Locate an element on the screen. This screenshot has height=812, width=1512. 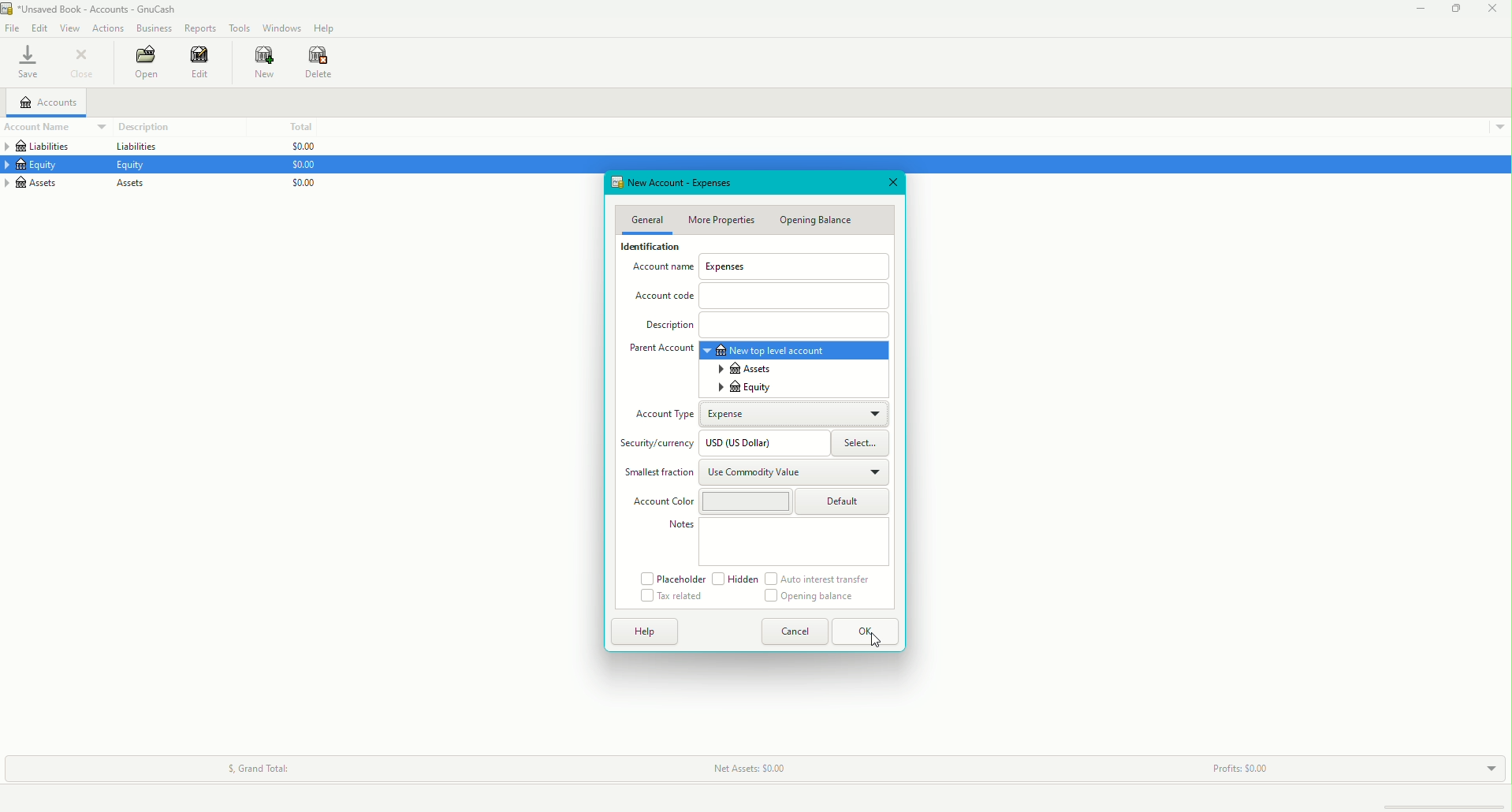
Grand Total is located at coordinates (257, 765).